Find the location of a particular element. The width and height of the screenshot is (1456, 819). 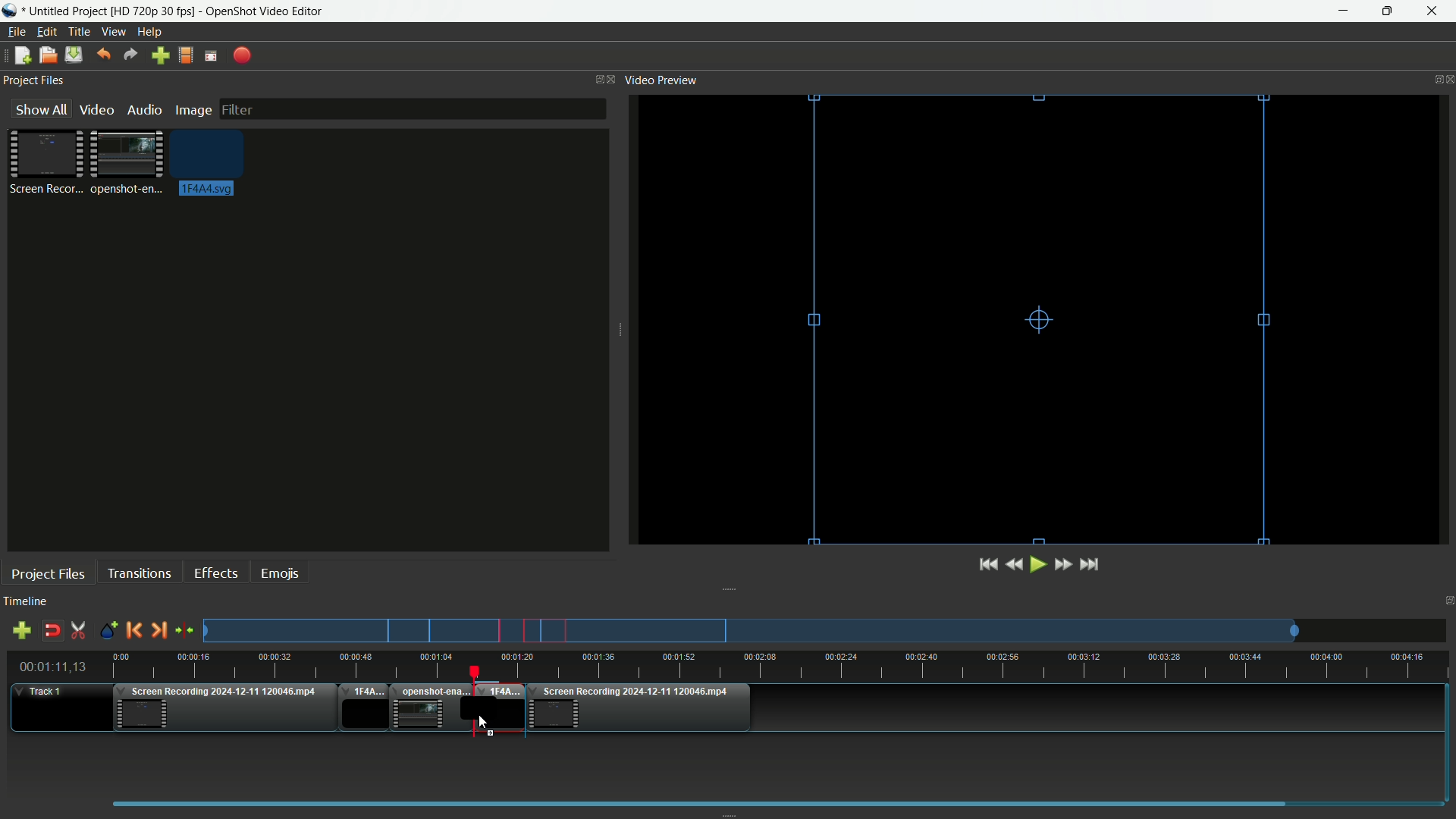

Project file 2 is located at coordinates (124, 161).